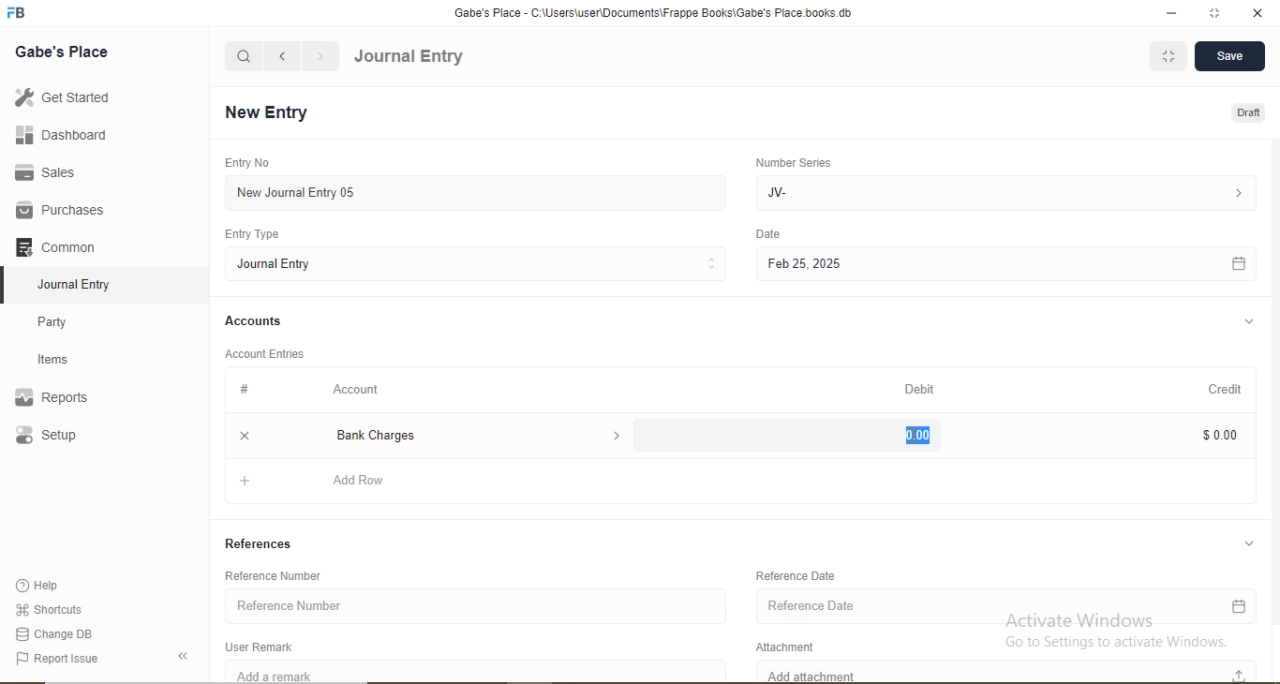 Image resolution: width=1280 pixels, height=684 pixels. Describe the element at coordinates (46, 586) in the screenshot. I see `Help` at that location.